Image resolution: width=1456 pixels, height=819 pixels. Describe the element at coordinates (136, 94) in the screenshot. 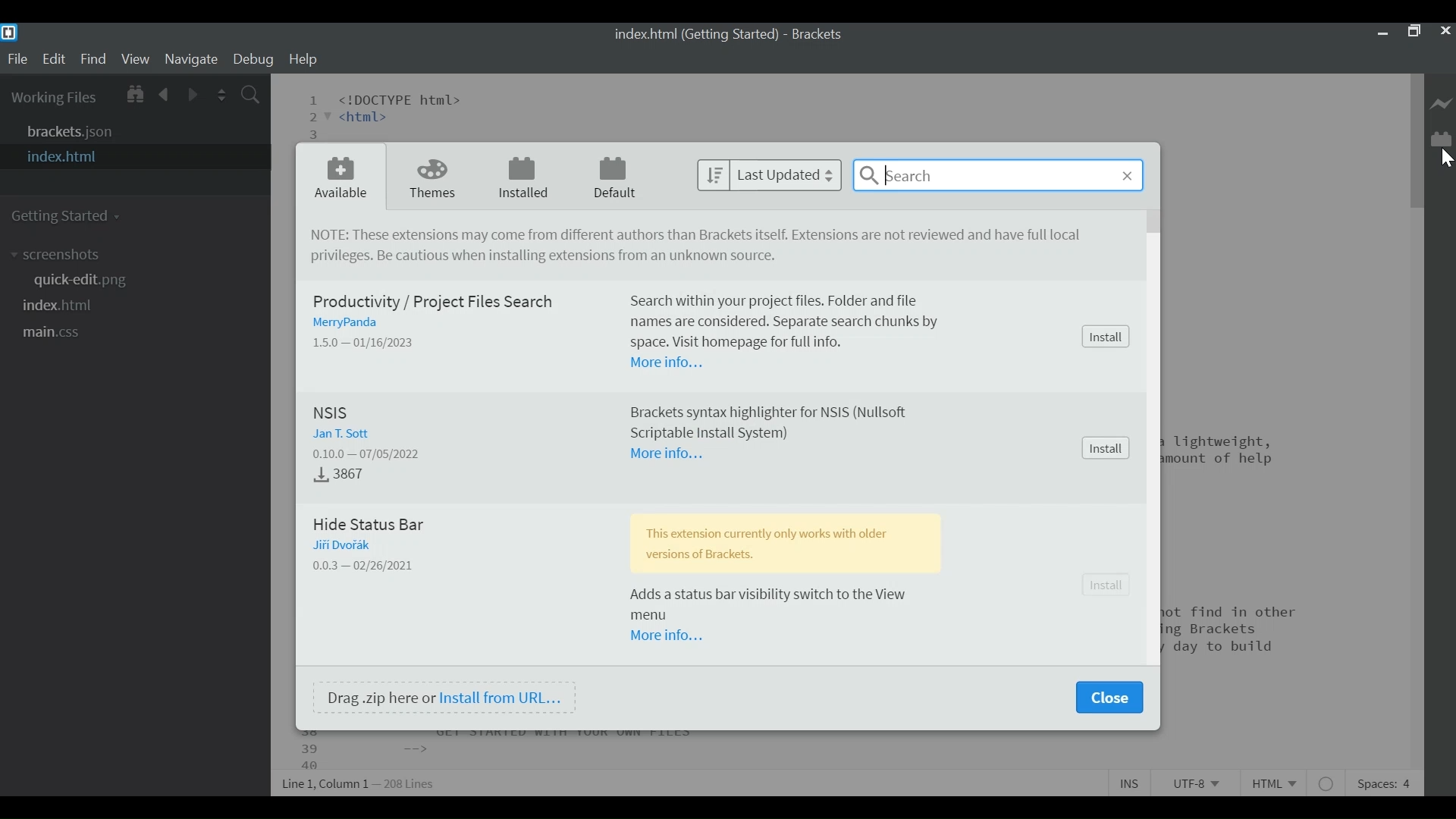

I see `Show in File tree` at that location.